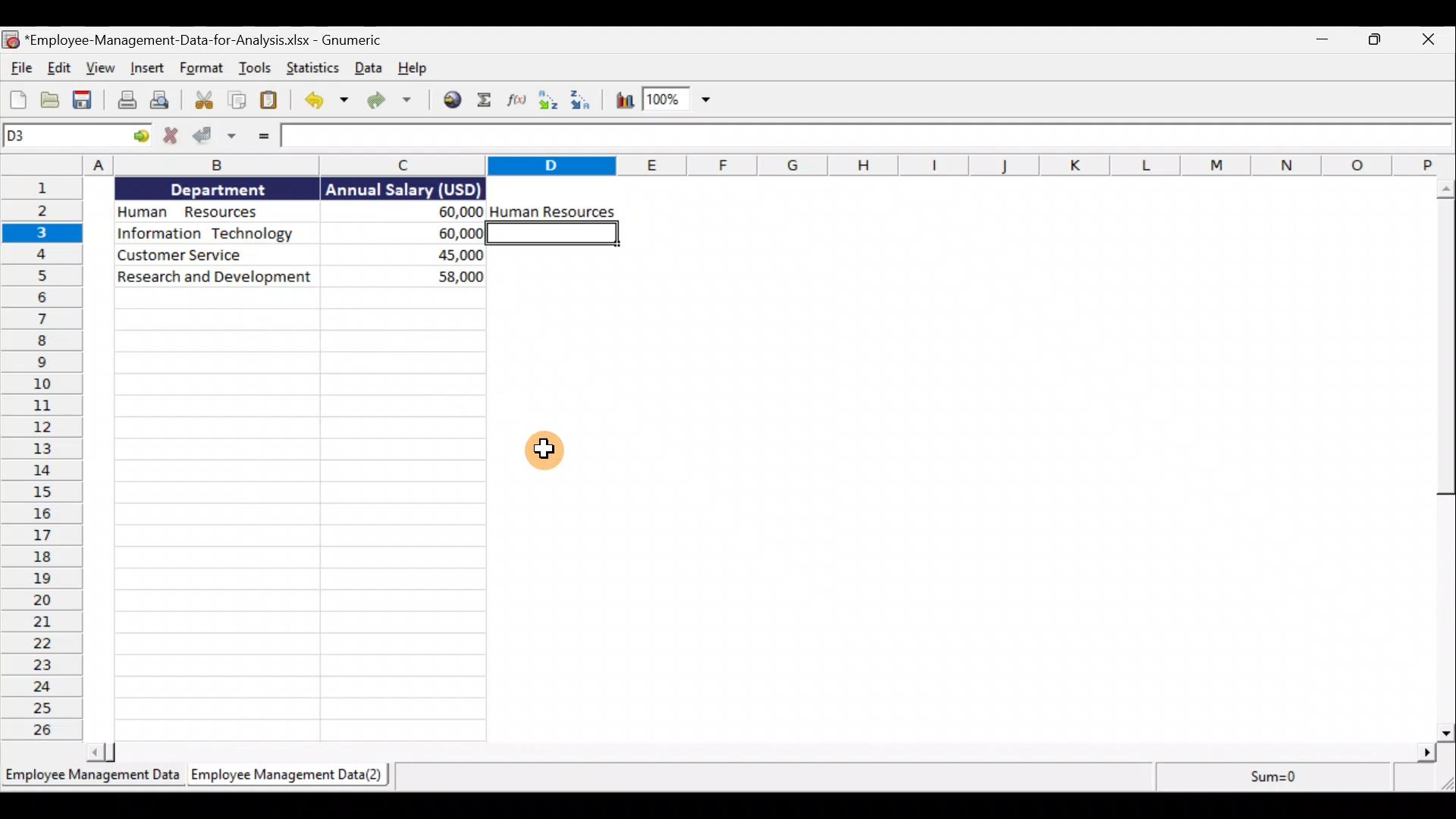  Describe the element at coordinates (1430, 45) in the screenshot. I see `close` at that location.